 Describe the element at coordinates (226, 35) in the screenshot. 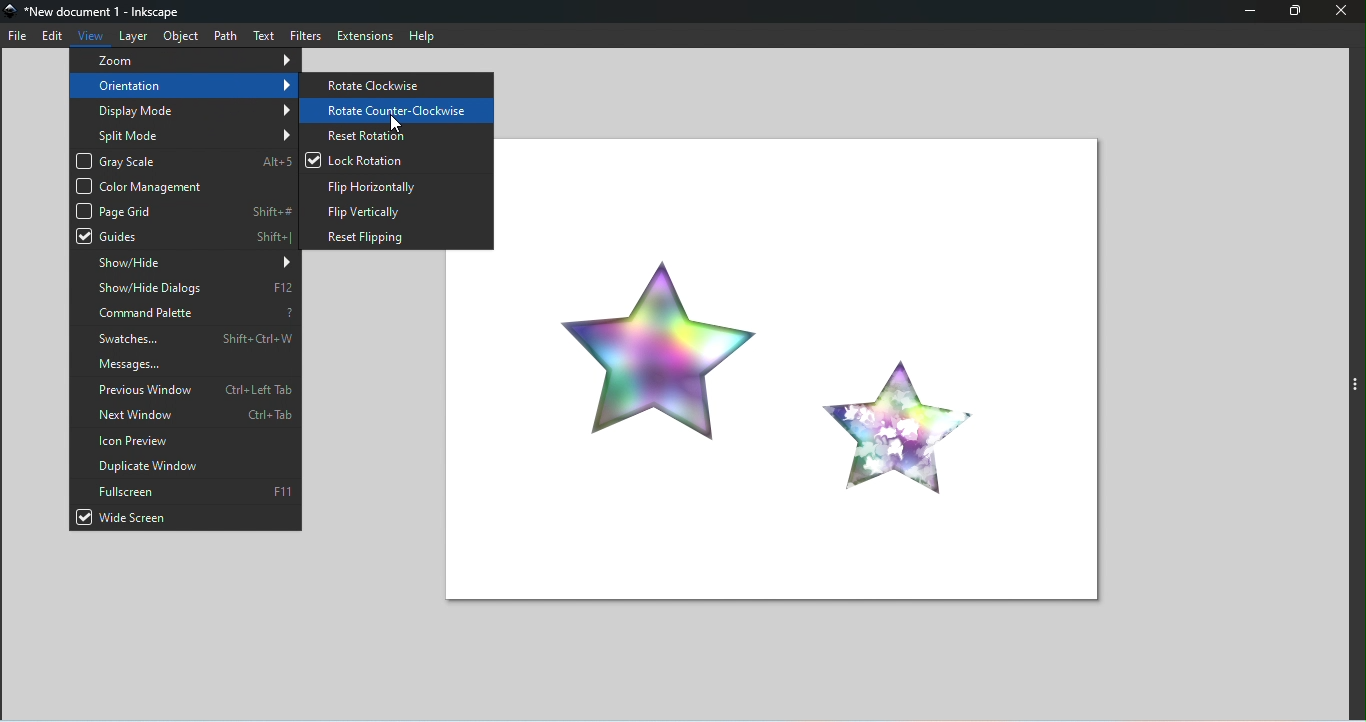

I see `Path` at that location.